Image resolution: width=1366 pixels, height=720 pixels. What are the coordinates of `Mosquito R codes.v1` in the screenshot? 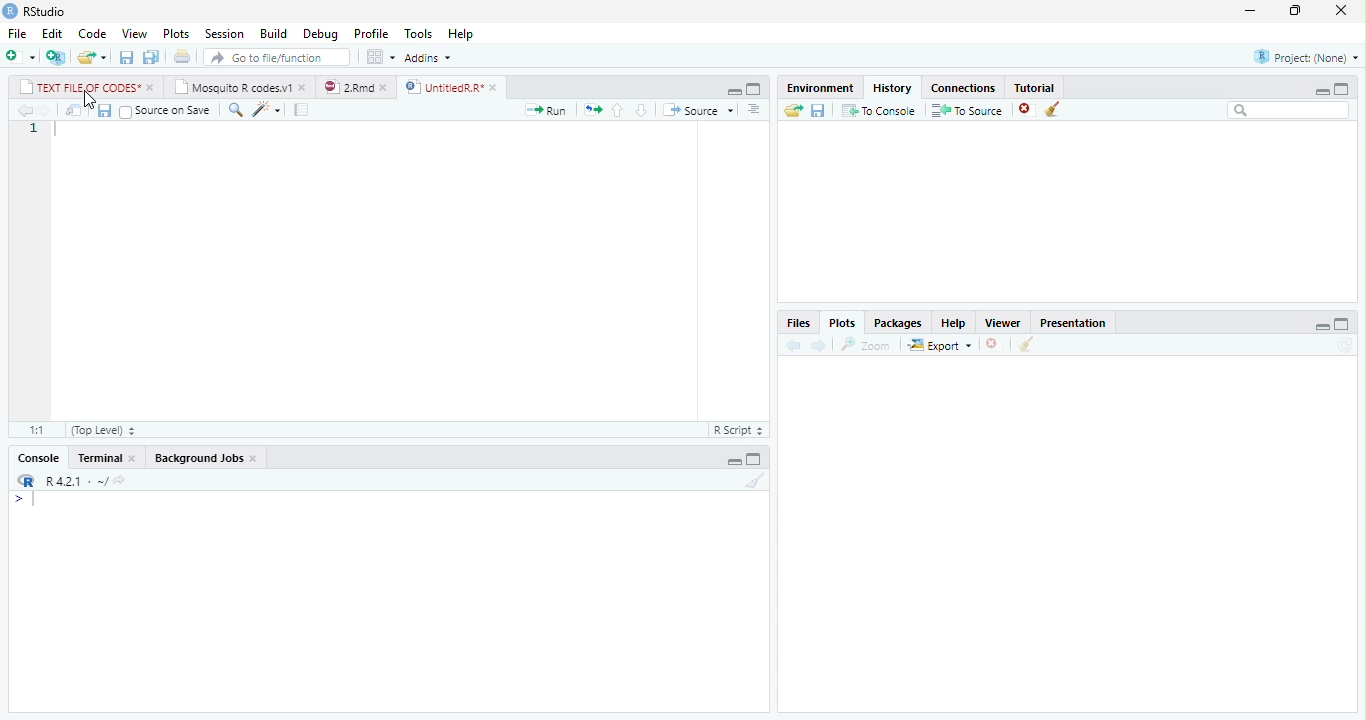 It's located at (232, 87).